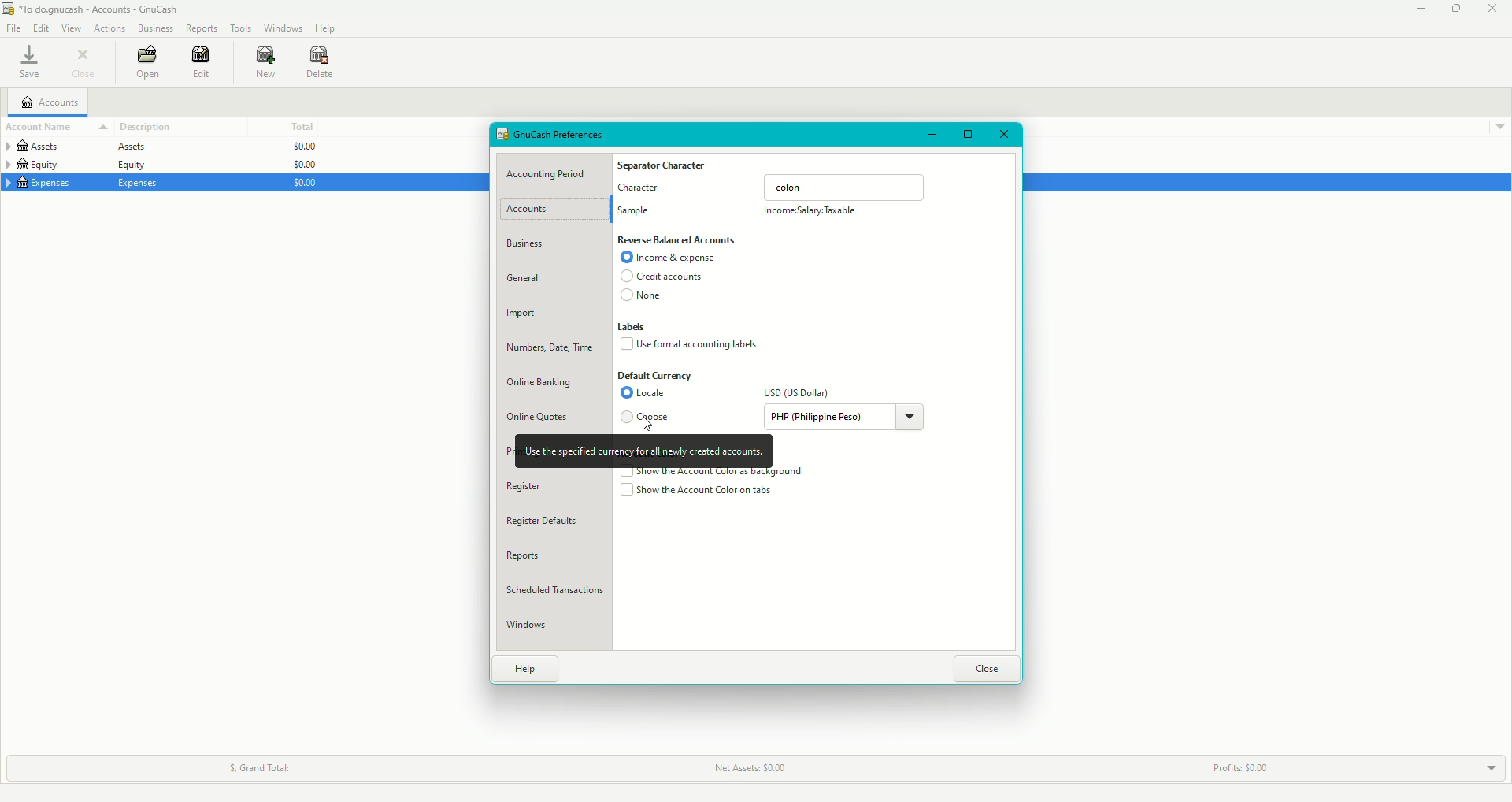 The height and width of the screenshot is (802, 1512). Describe the element at coordinates (522, 556) in the screenshot. I see `Reports` at that location.